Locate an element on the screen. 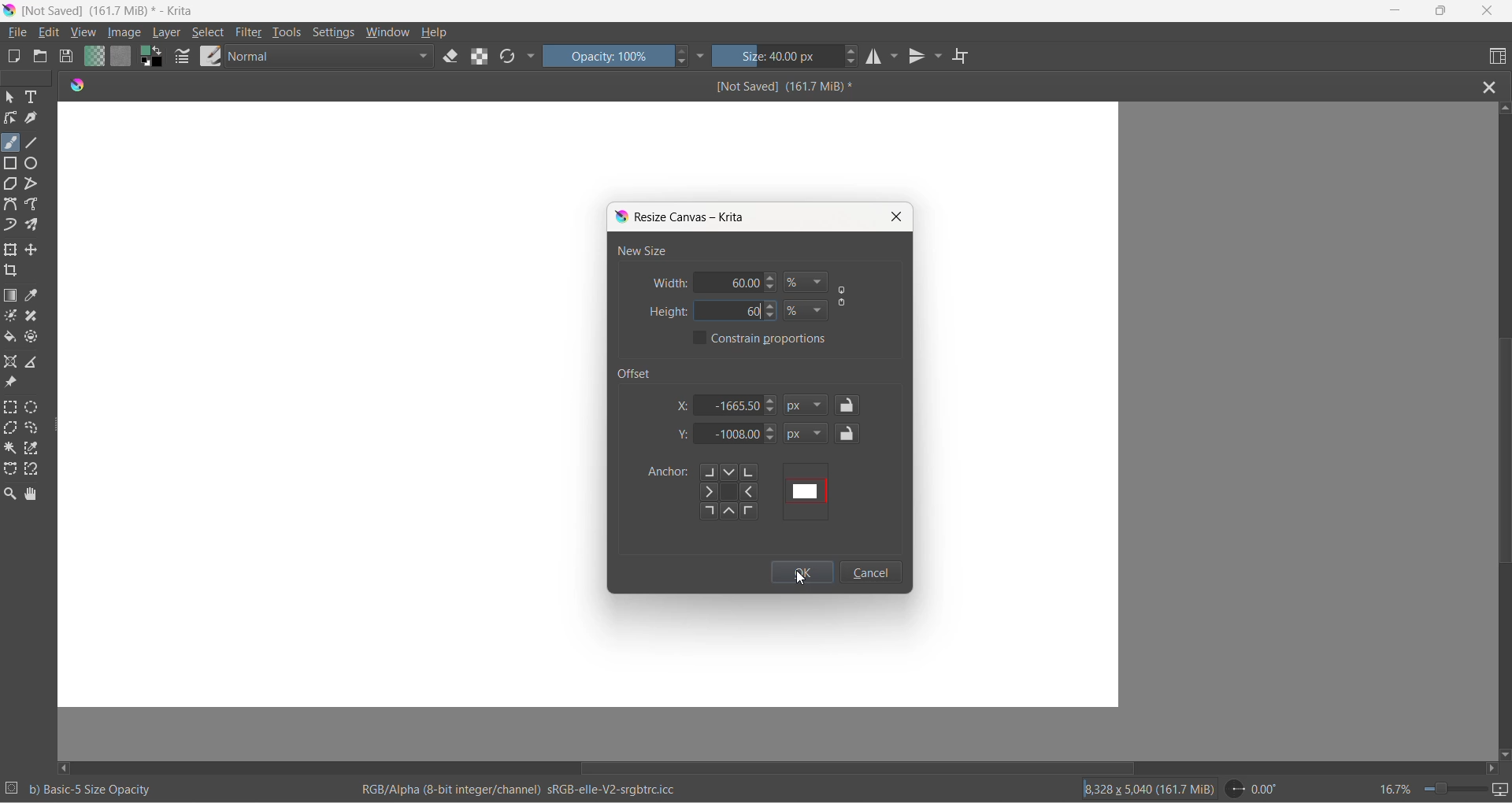 This screenshot has height=803, width=1512. help is located at coordinates (435, 32).